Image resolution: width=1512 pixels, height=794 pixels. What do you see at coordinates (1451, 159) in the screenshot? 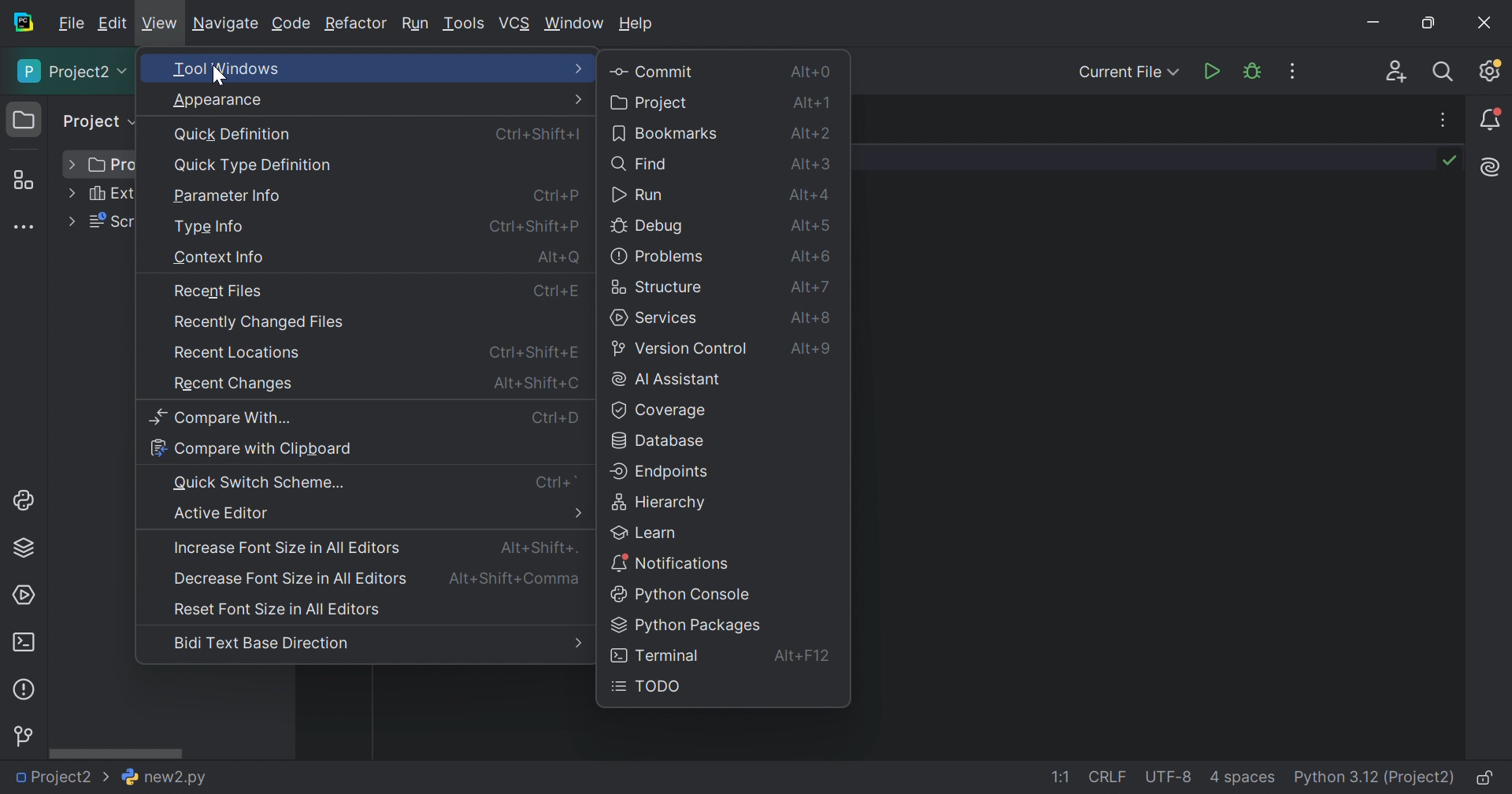
I see `No problems found` at bounding box center [1451, 159].